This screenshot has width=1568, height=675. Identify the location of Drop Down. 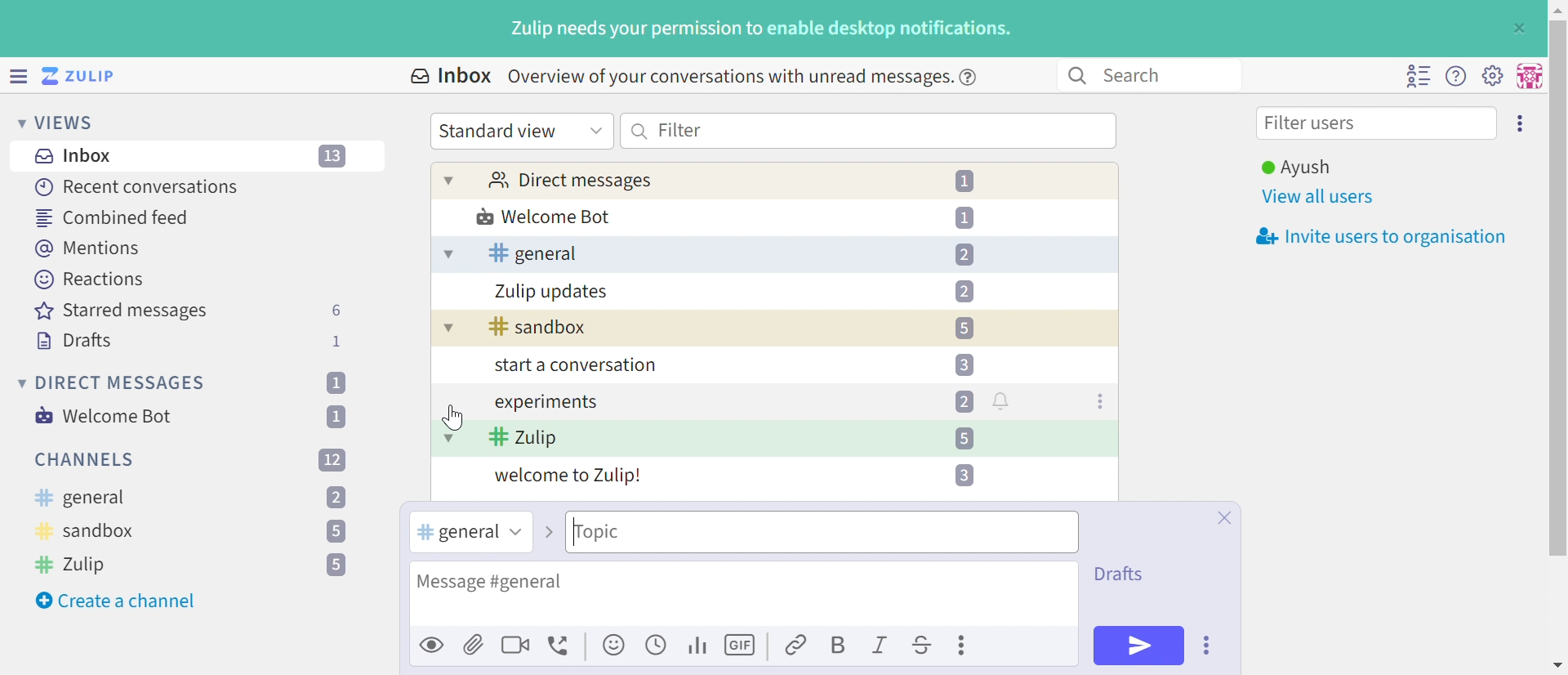
(448, 437).